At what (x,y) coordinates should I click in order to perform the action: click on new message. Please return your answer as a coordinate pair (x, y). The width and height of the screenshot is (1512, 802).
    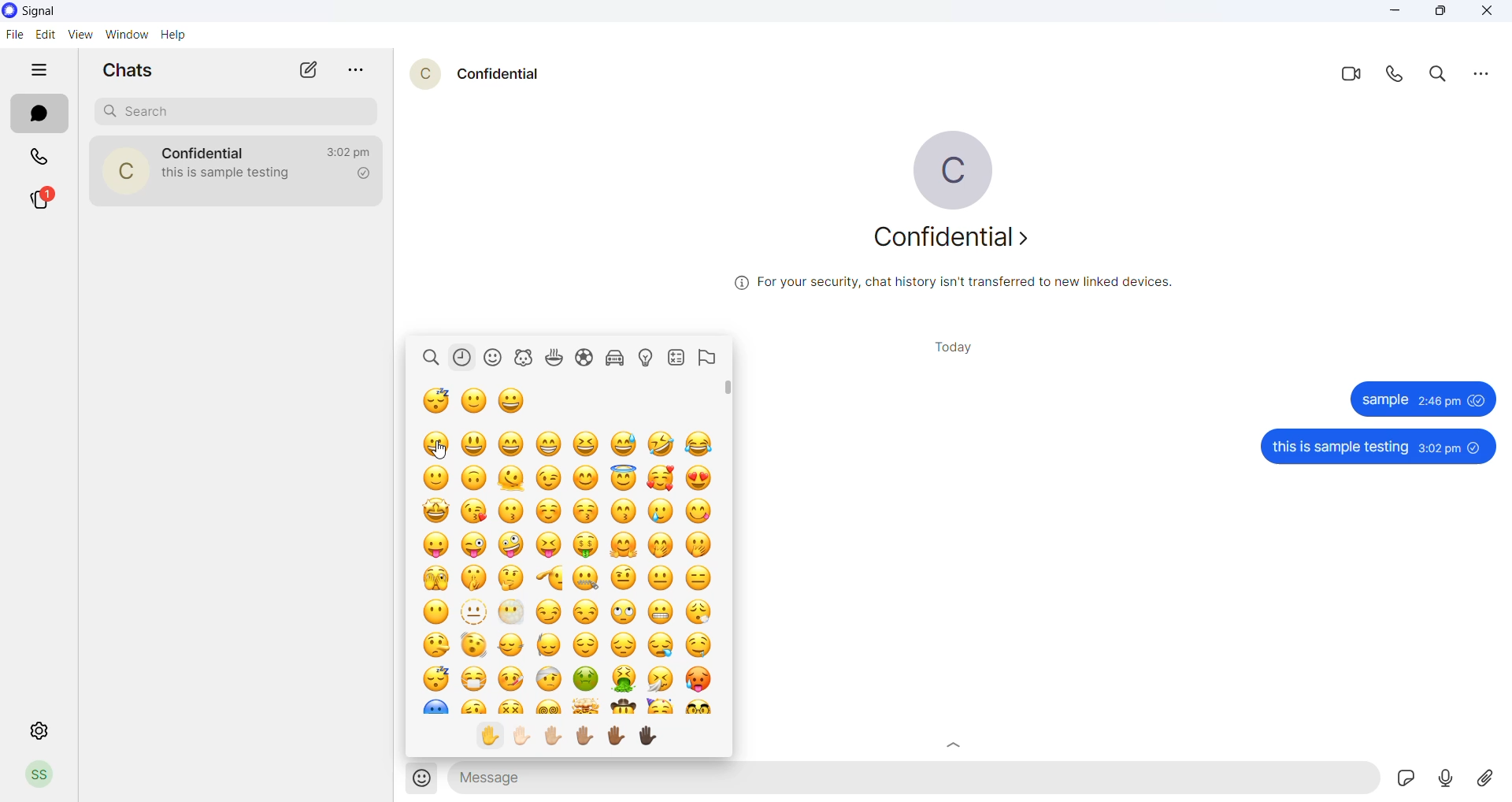
    Looking at the image, I should click on (311, 69).